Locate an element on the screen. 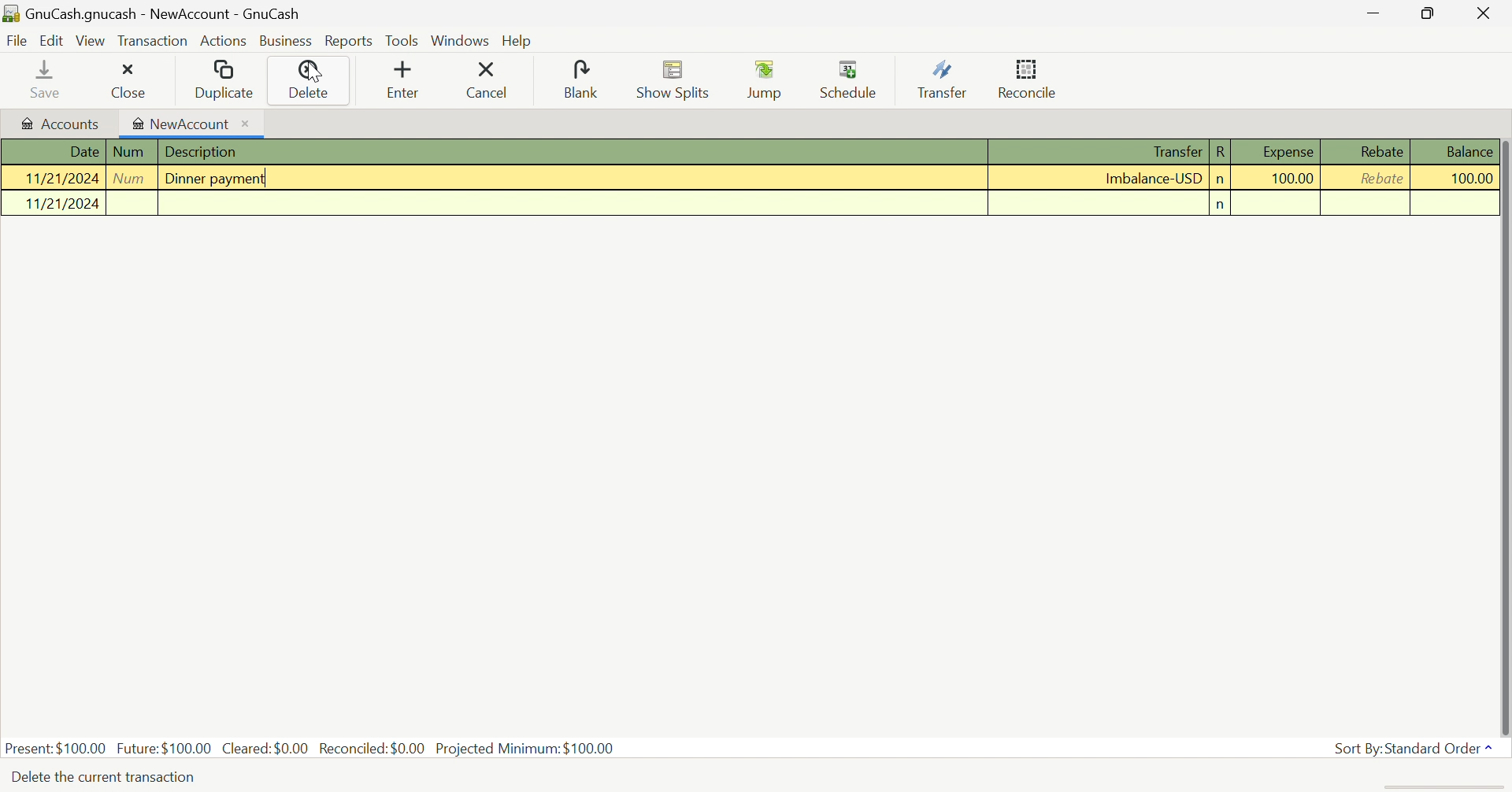 This screenshot has height=792, width=1512. Close is located at coordinates (1481, 15).